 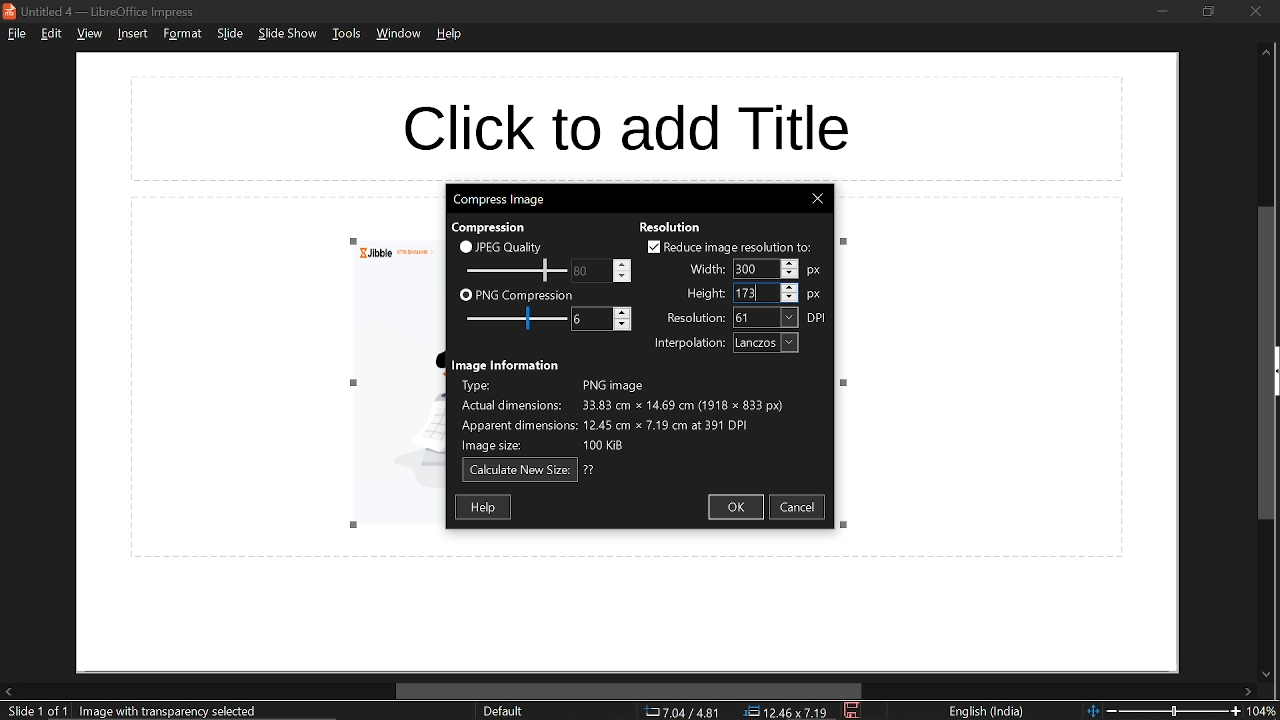 I want to click on Decrease , so click(x=790, y=275).